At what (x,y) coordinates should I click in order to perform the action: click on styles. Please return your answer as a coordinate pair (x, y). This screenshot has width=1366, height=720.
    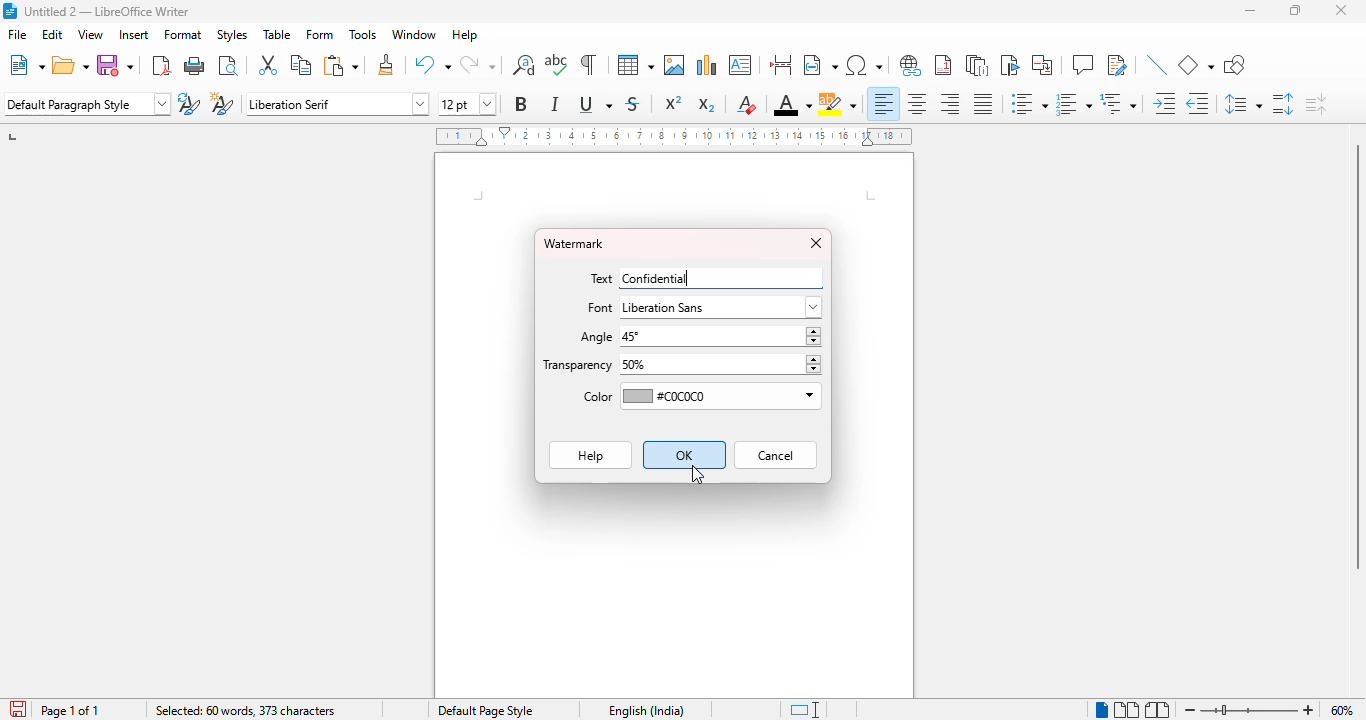
    Looking at the image, I should click on (232, 34).